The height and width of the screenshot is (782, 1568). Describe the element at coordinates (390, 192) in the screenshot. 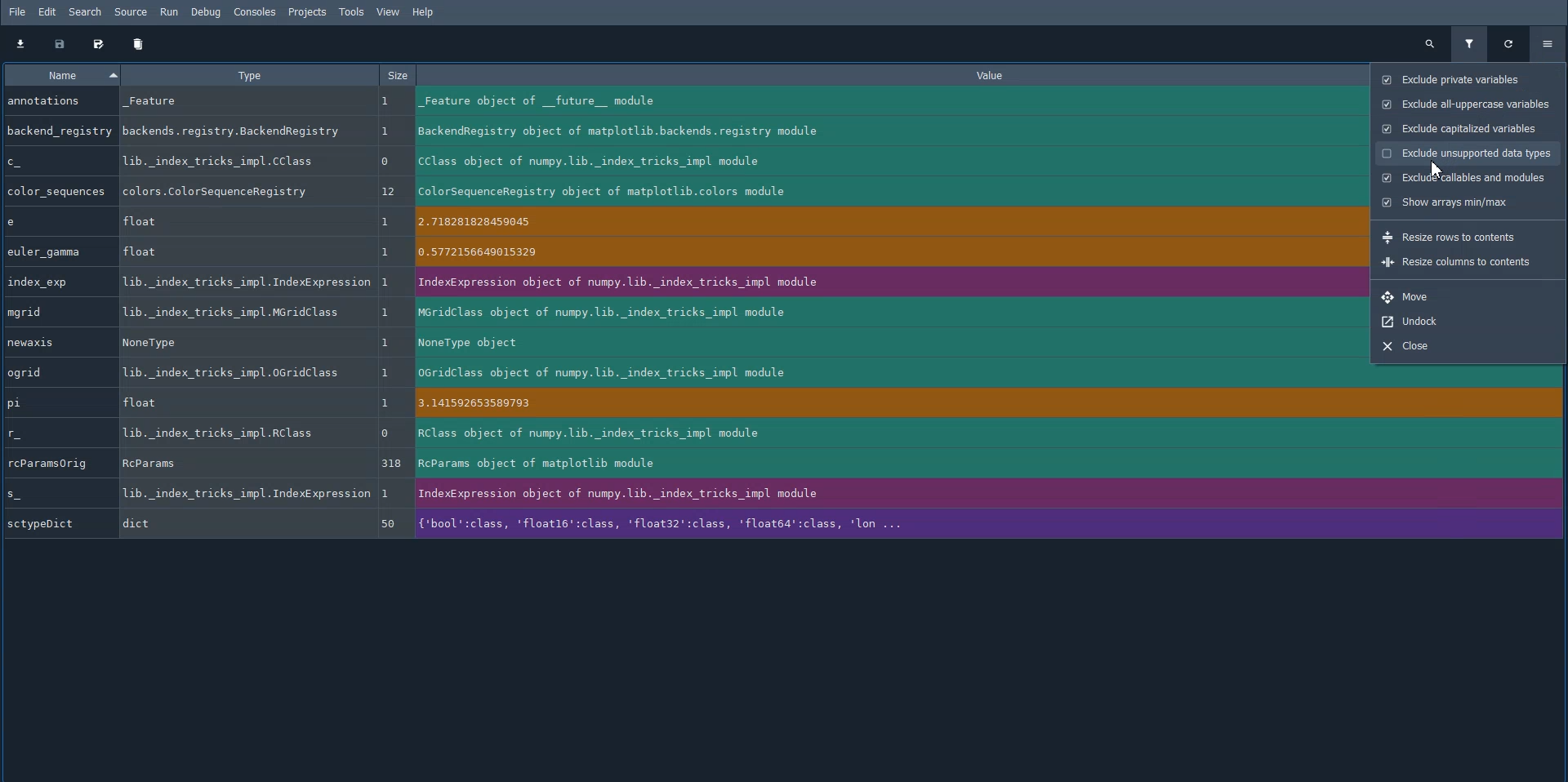

I see `12` at that location.